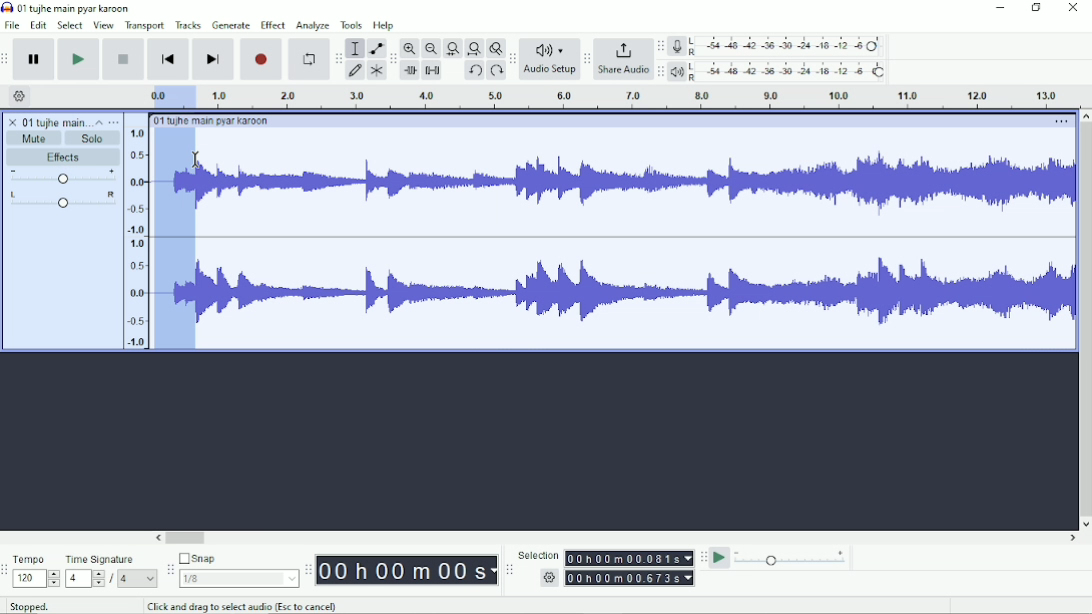 This screenshot has width=1092, height=614. I want to click on Logo, so click(7, 7).